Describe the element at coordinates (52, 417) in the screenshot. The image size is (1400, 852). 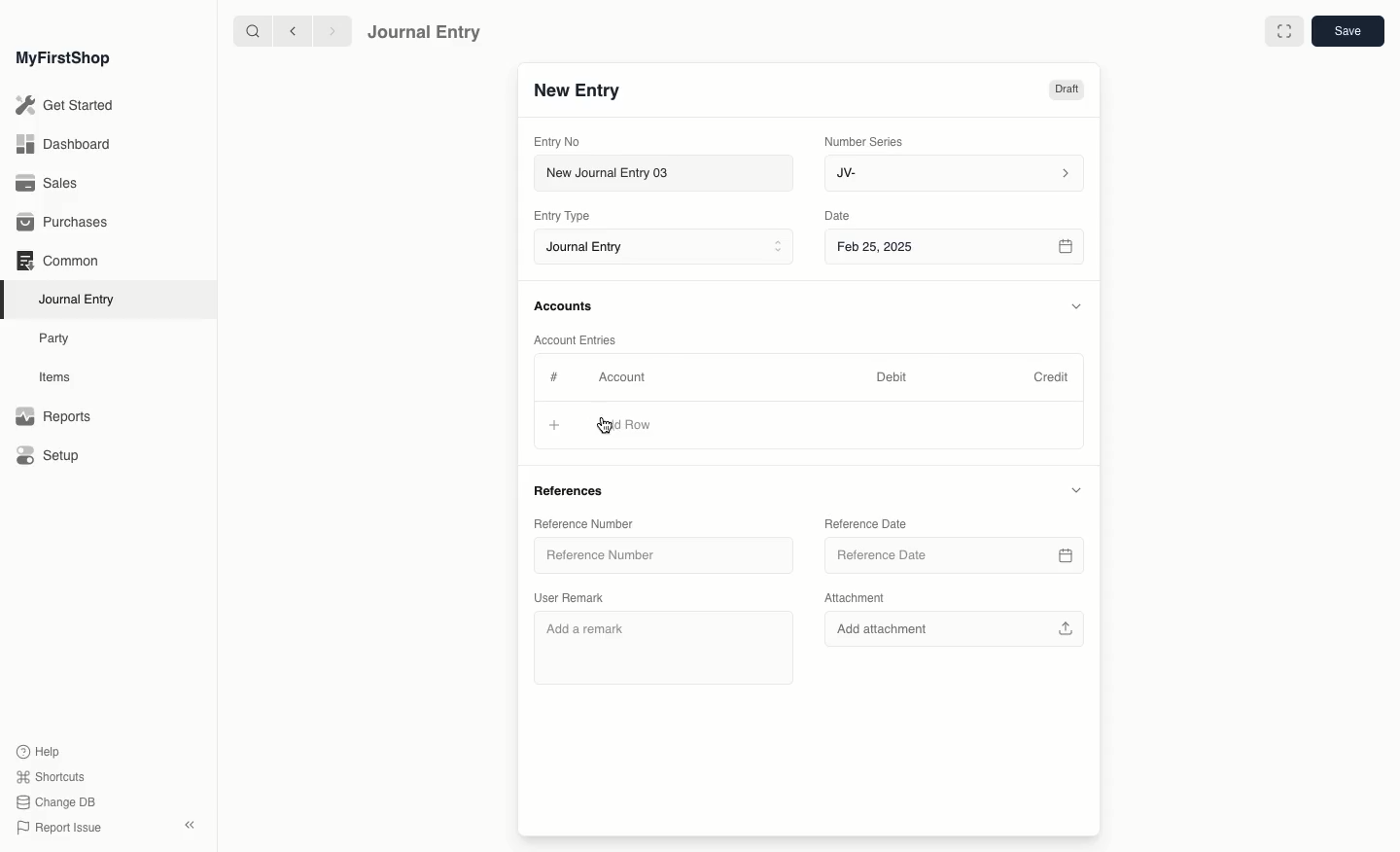
I see `Reports` at that location.